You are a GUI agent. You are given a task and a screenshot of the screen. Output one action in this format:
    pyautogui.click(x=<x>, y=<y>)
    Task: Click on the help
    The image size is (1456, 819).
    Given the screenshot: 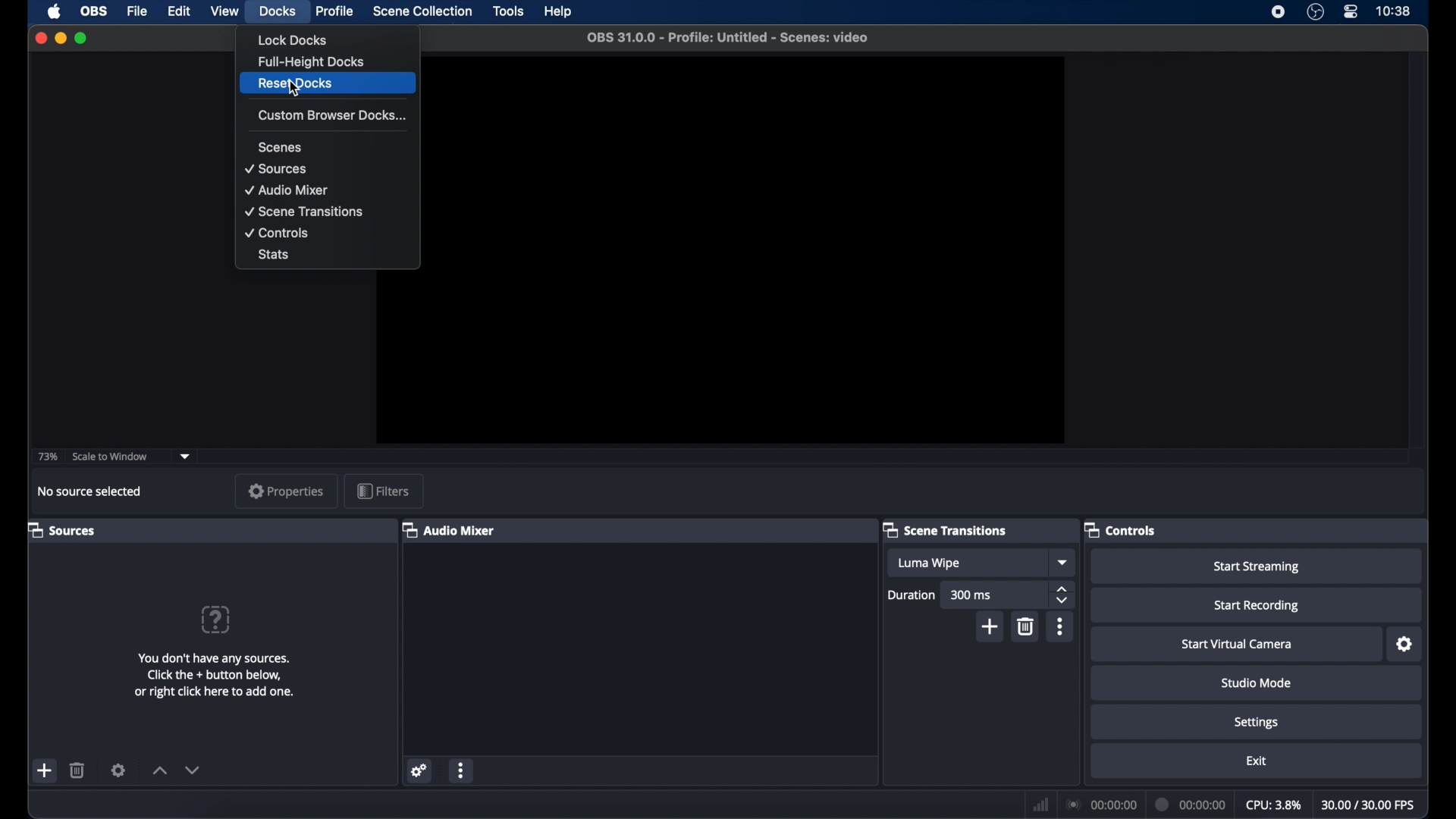 What is the action you would take?
    pyautogui.click(x=559, y=12)
    